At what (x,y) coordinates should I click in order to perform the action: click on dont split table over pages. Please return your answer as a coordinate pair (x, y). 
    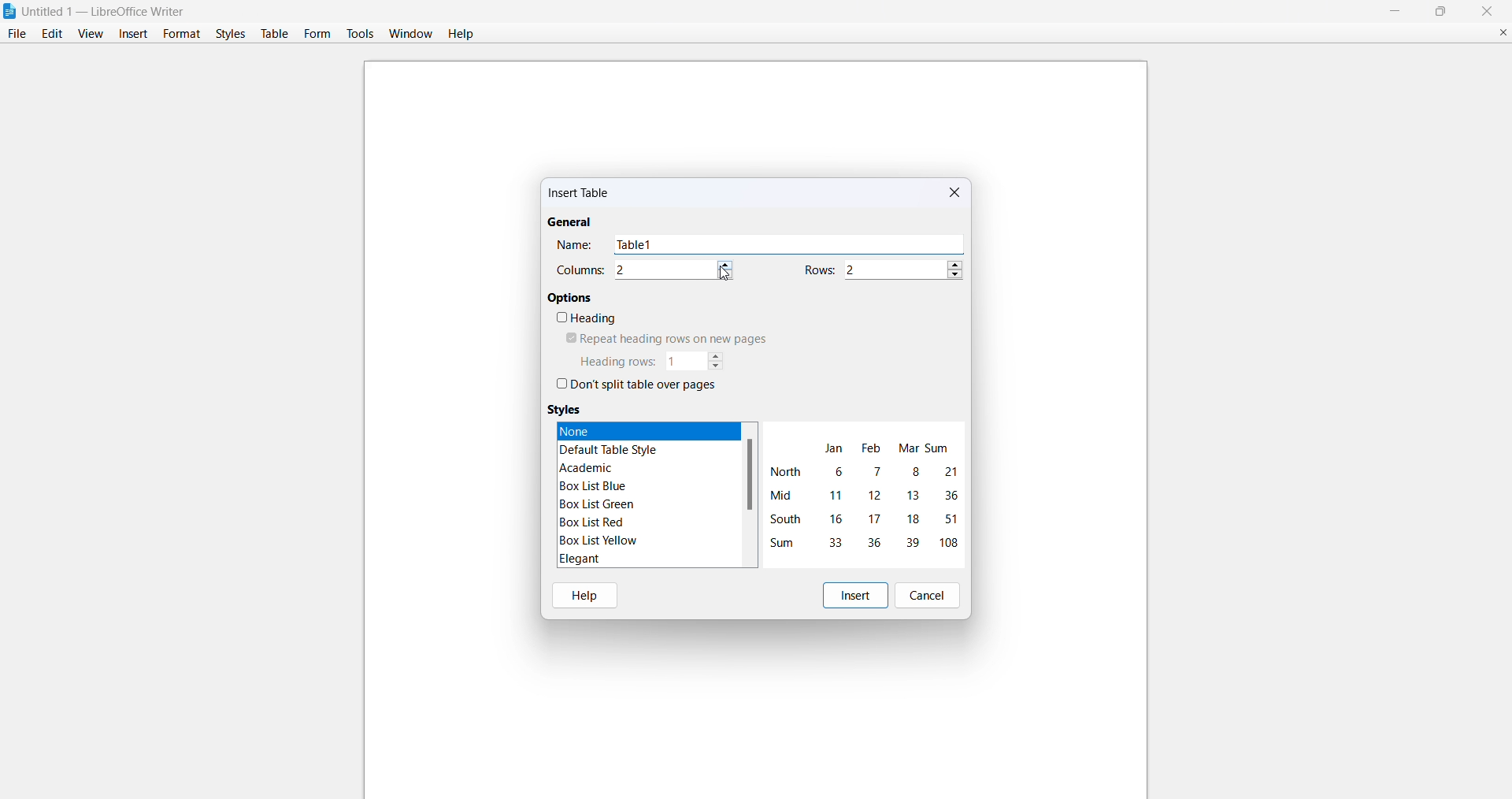
    Looking at the image, I should click on (636, 386).